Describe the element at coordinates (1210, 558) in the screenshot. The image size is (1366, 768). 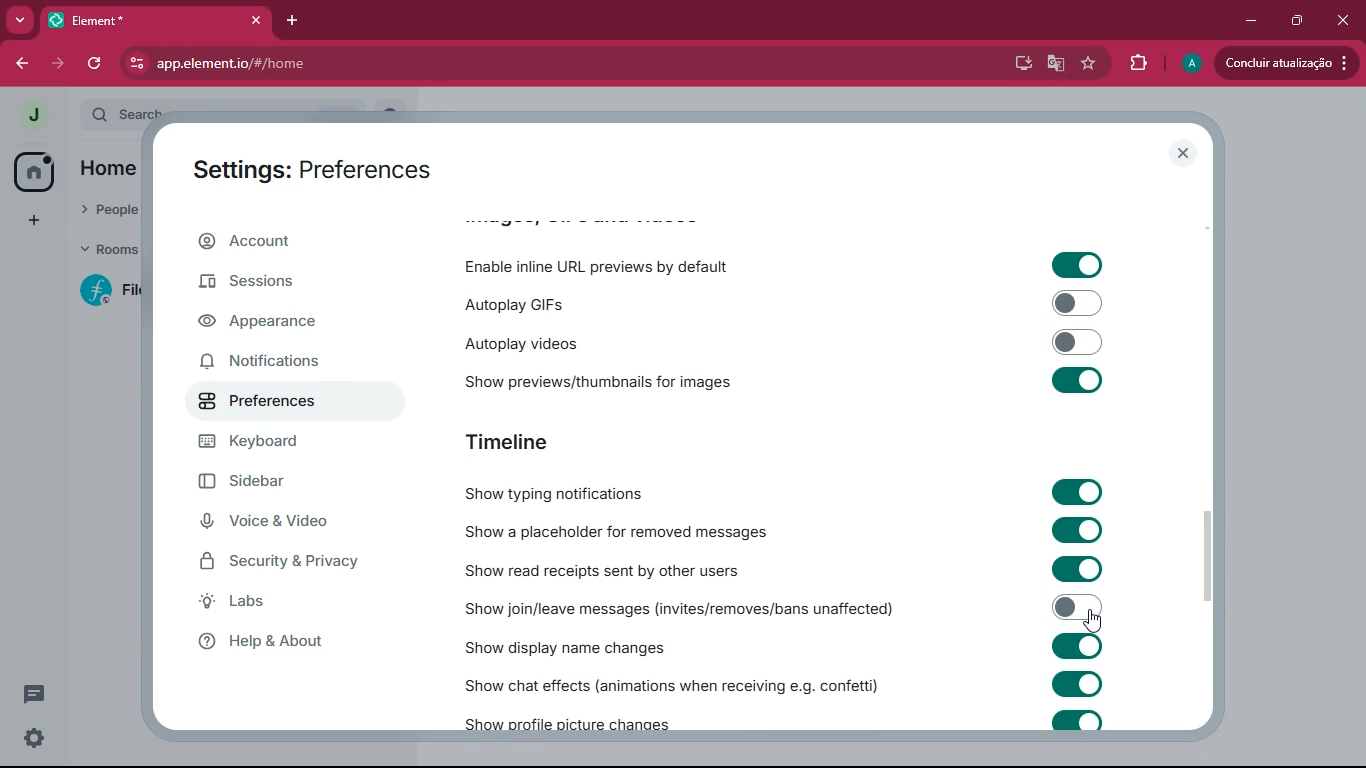
I see `scroll bar` at that location.